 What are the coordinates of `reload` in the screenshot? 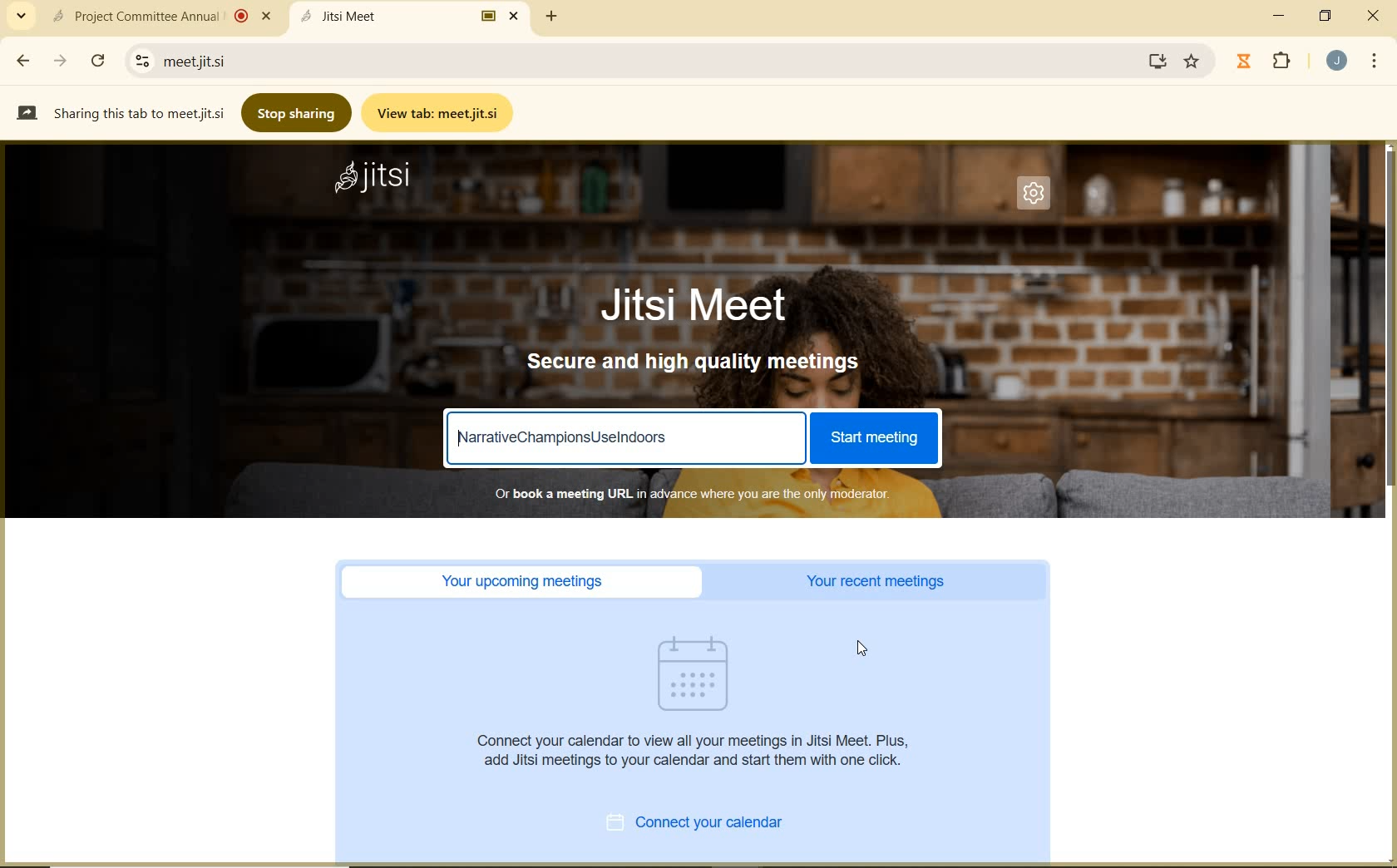 It's located at (97, 58).